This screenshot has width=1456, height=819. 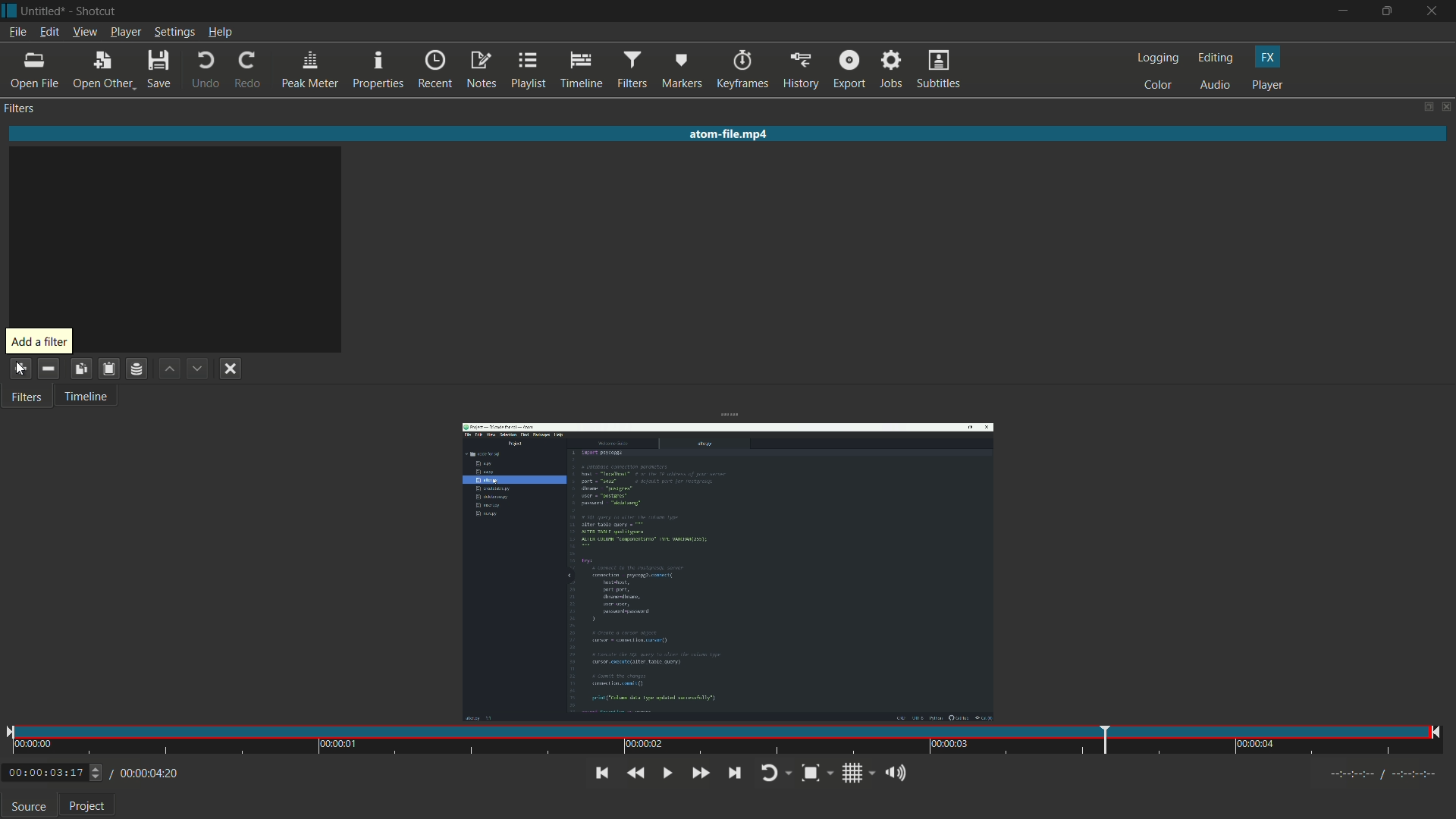 What do you see at coordinates (174, 33) in the screenshot?
I see `settings menu` at bounding box center [174, 33].